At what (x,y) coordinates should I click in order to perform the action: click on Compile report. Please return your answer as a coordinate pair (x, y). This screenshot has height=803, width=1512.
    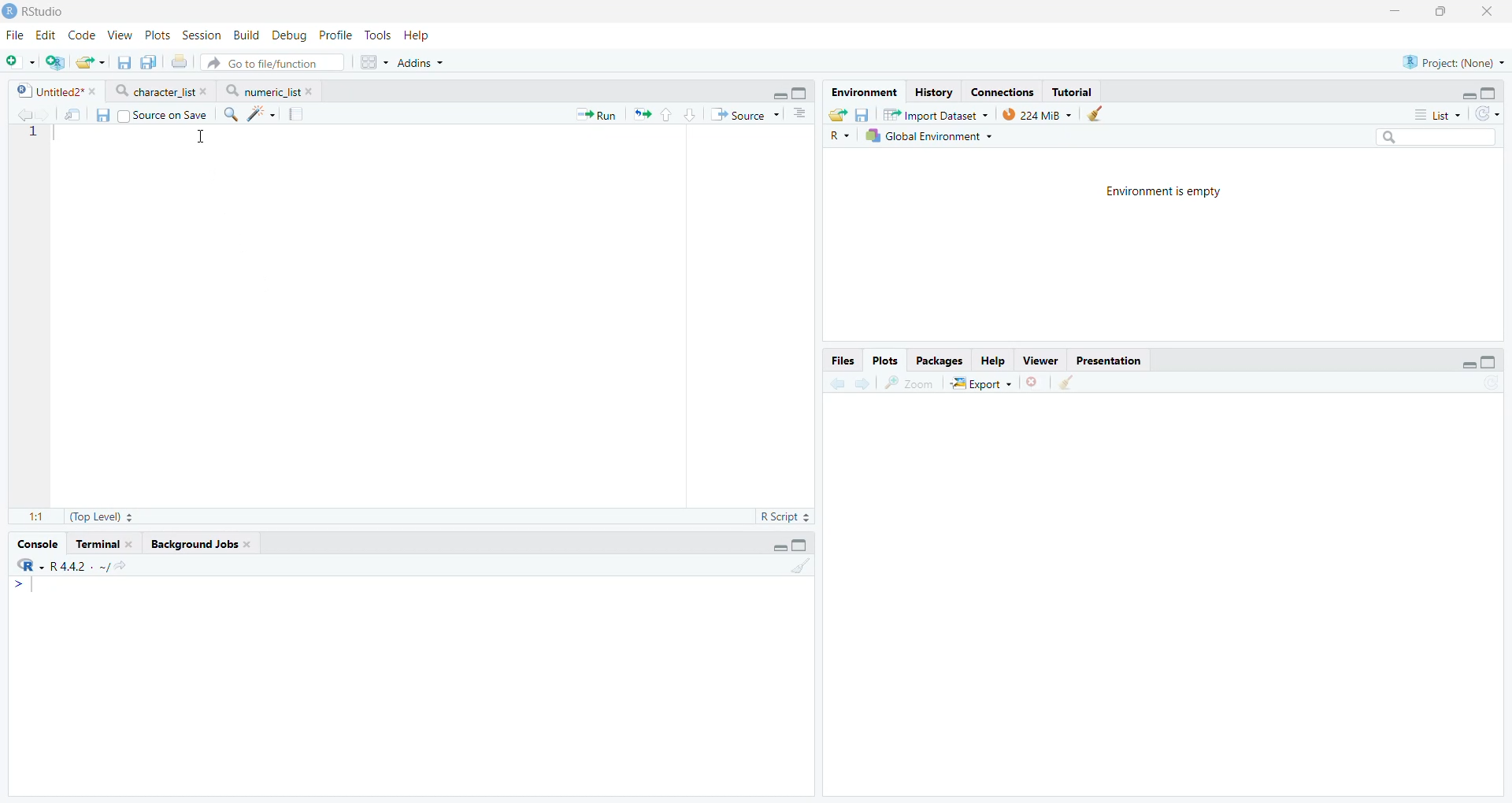
    Looking at the image, I should click on (298, 114).